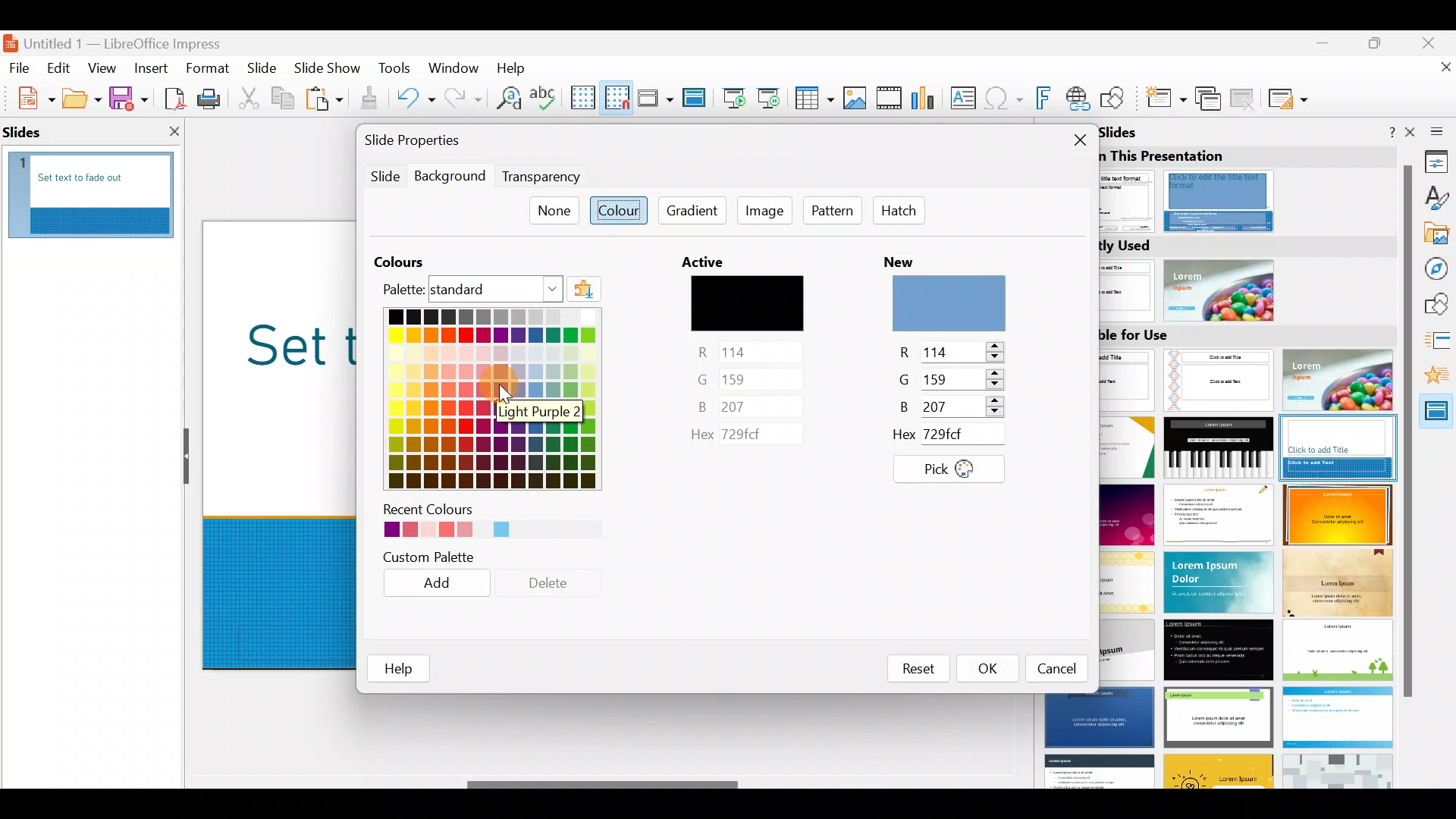 This screenshot has height=819, width=1456. What do you see at coordinates (908, 258) in the screenshot?
I see `new` at bounding box center [908, 258].